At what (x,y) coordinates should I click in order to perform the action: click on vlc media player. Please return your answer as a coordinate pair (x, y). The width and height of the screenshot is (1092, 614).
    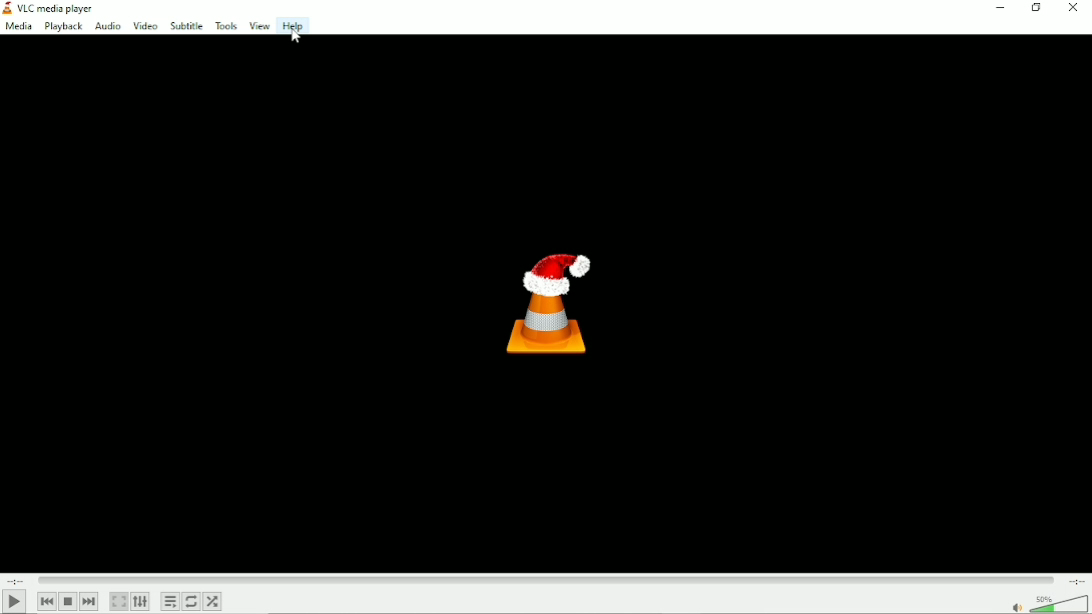
    Looking at the image, I should click on (56, 9).